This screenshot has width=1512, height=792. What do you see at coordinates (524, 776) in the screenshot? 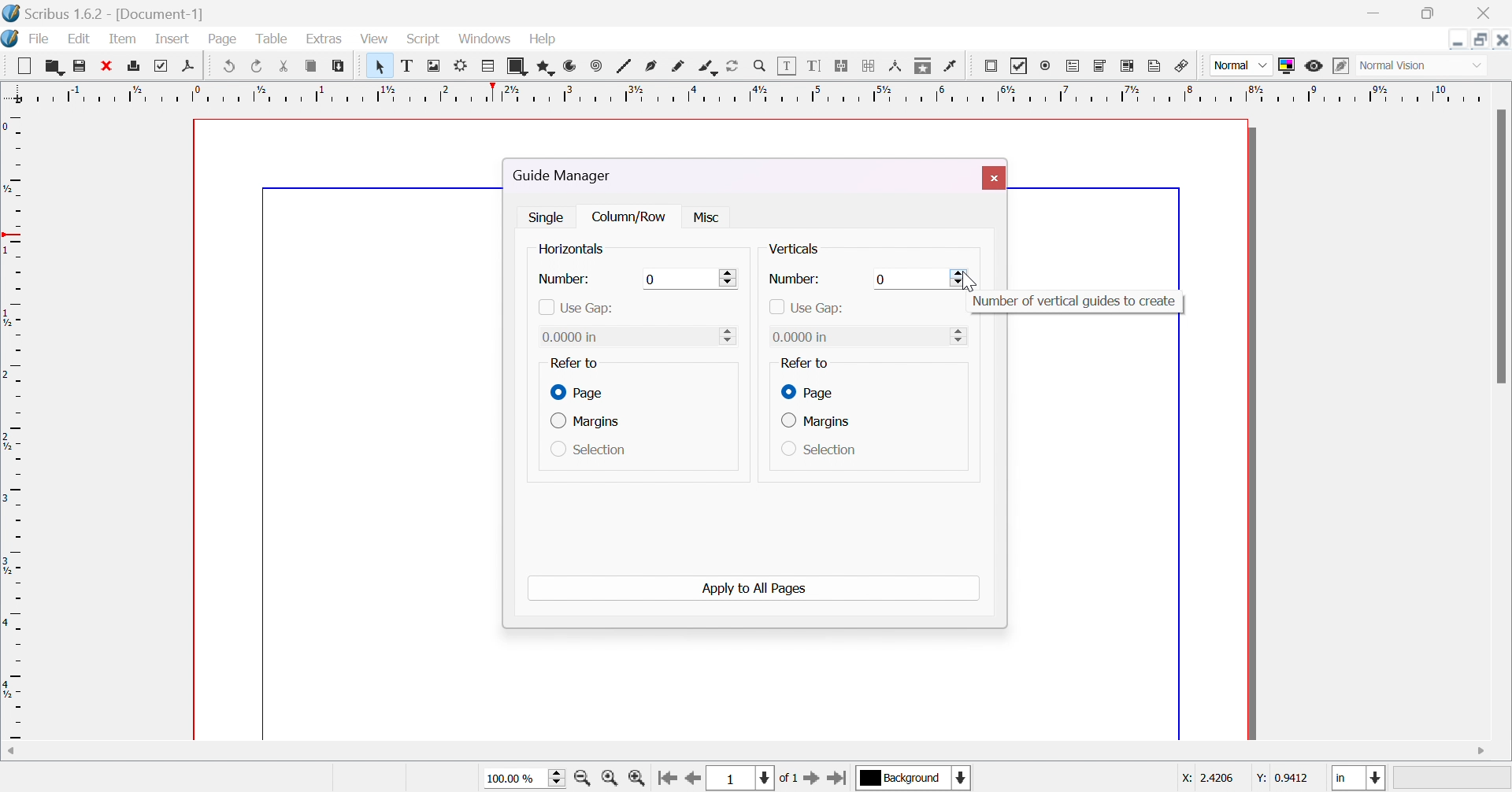
I see `select current size` at bounding box center [524, 776].